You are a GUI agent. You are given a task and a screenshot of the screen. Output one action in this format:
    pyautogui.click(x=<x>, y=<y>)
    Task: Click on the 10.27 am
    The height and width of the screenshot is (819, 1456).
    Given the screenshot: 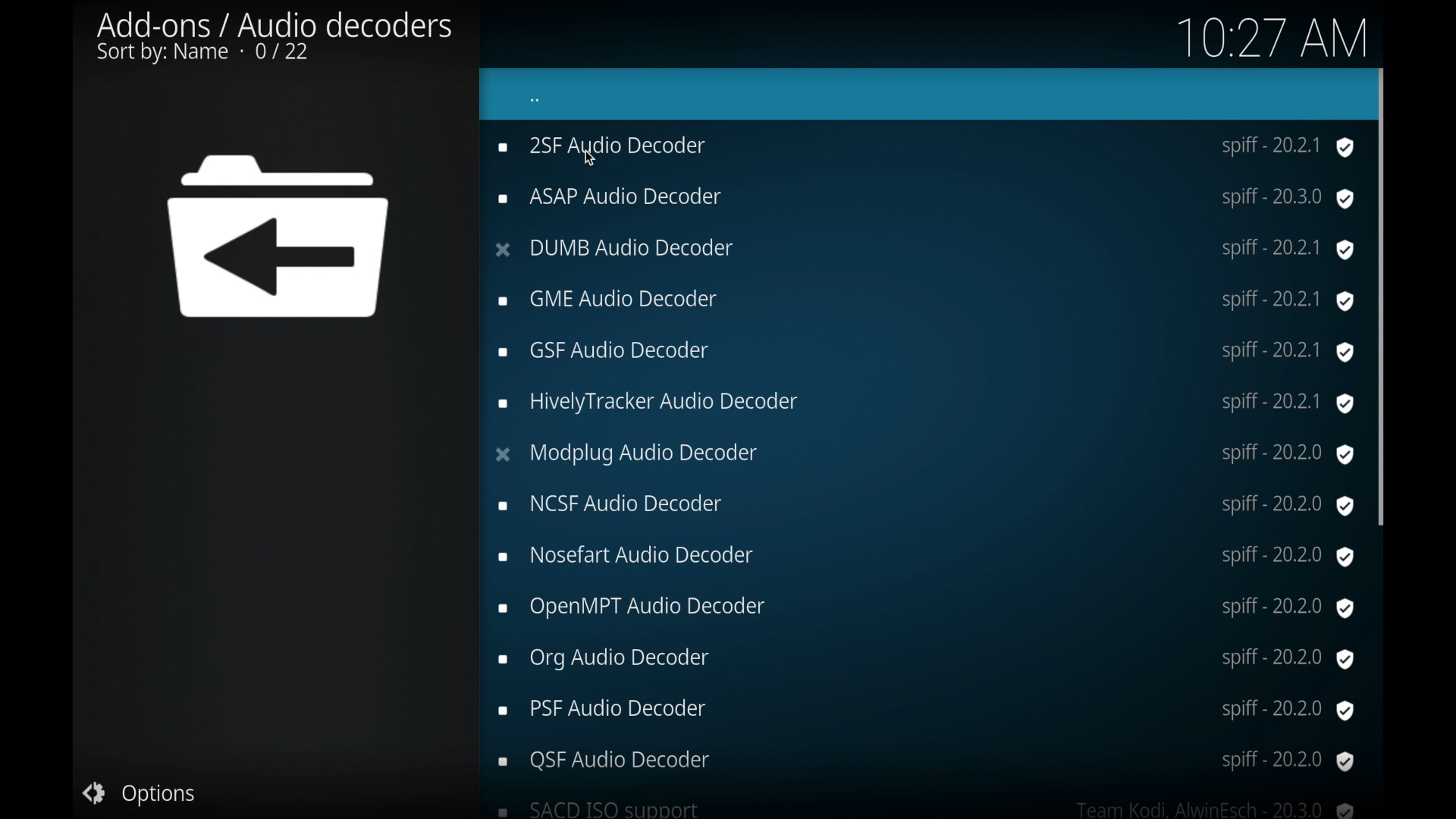 What is the action you would take?
    pyautogui.click(x=1268, y=36)
    